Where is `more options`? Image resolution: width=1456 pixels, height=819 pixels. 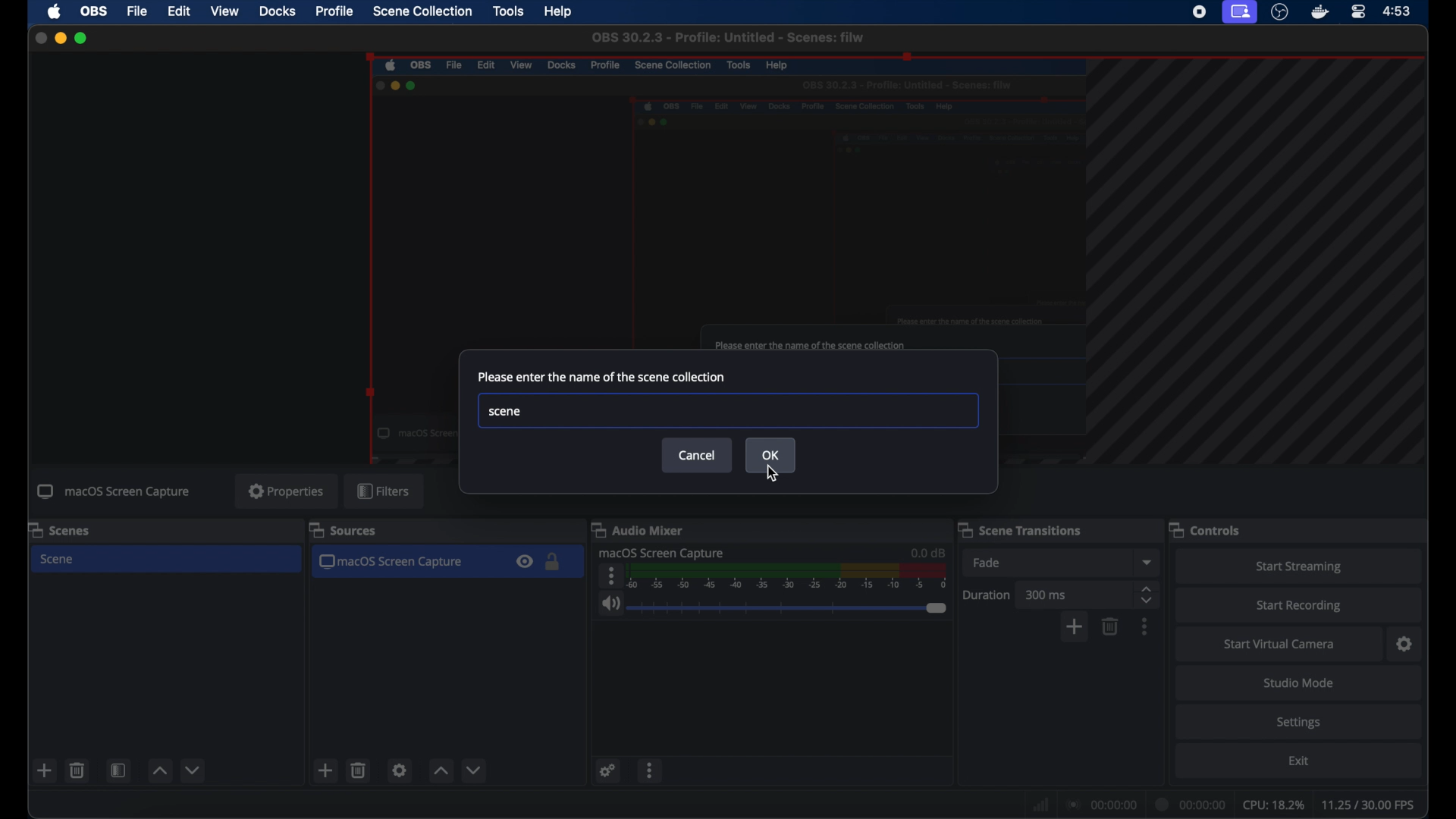
more options is located at coordinates (650, 773).